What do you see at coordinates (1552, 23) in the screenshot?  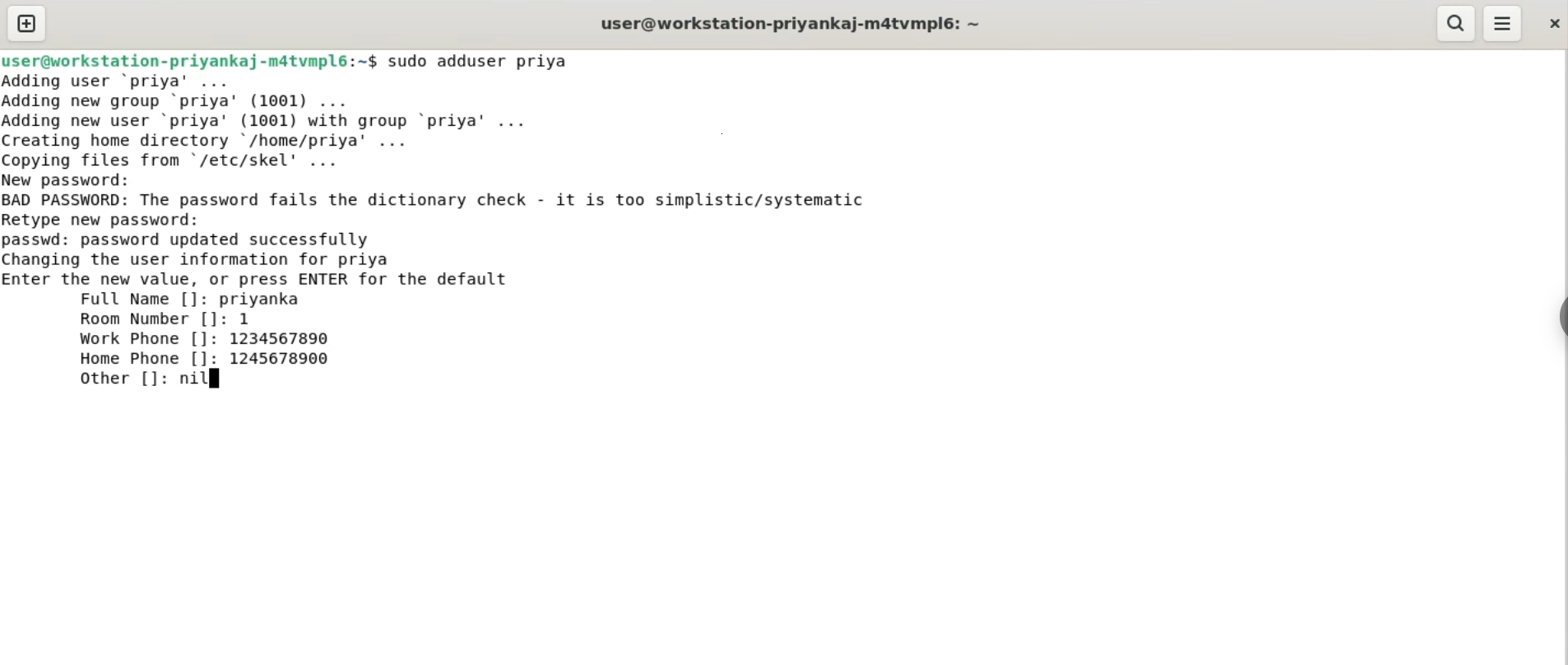 I see `close` at bounding box center [1552, 23].